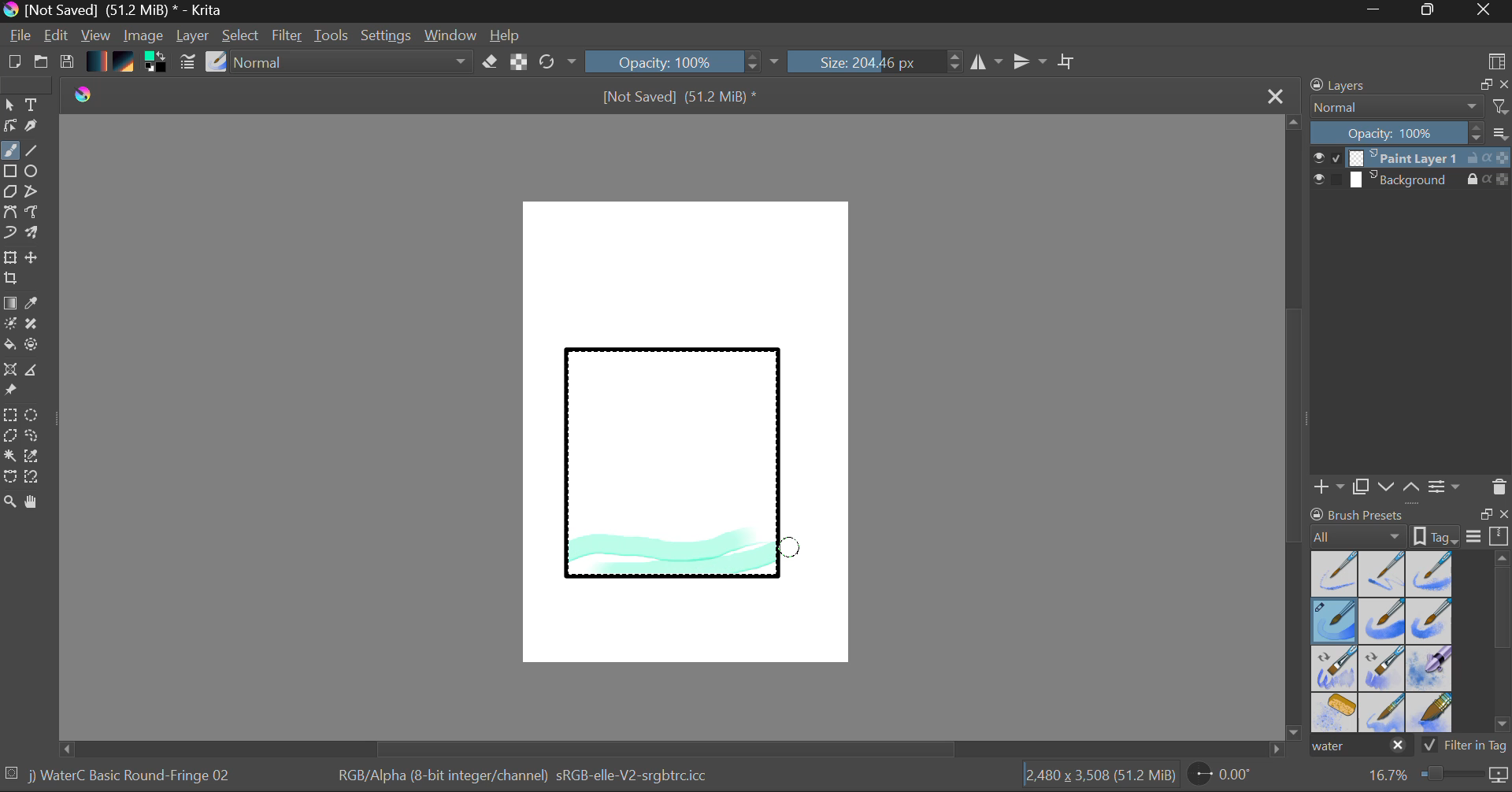  Describe the element at coordinates (11, 325) in the screenshot. I see `Colorize Mask Tool` at that location.